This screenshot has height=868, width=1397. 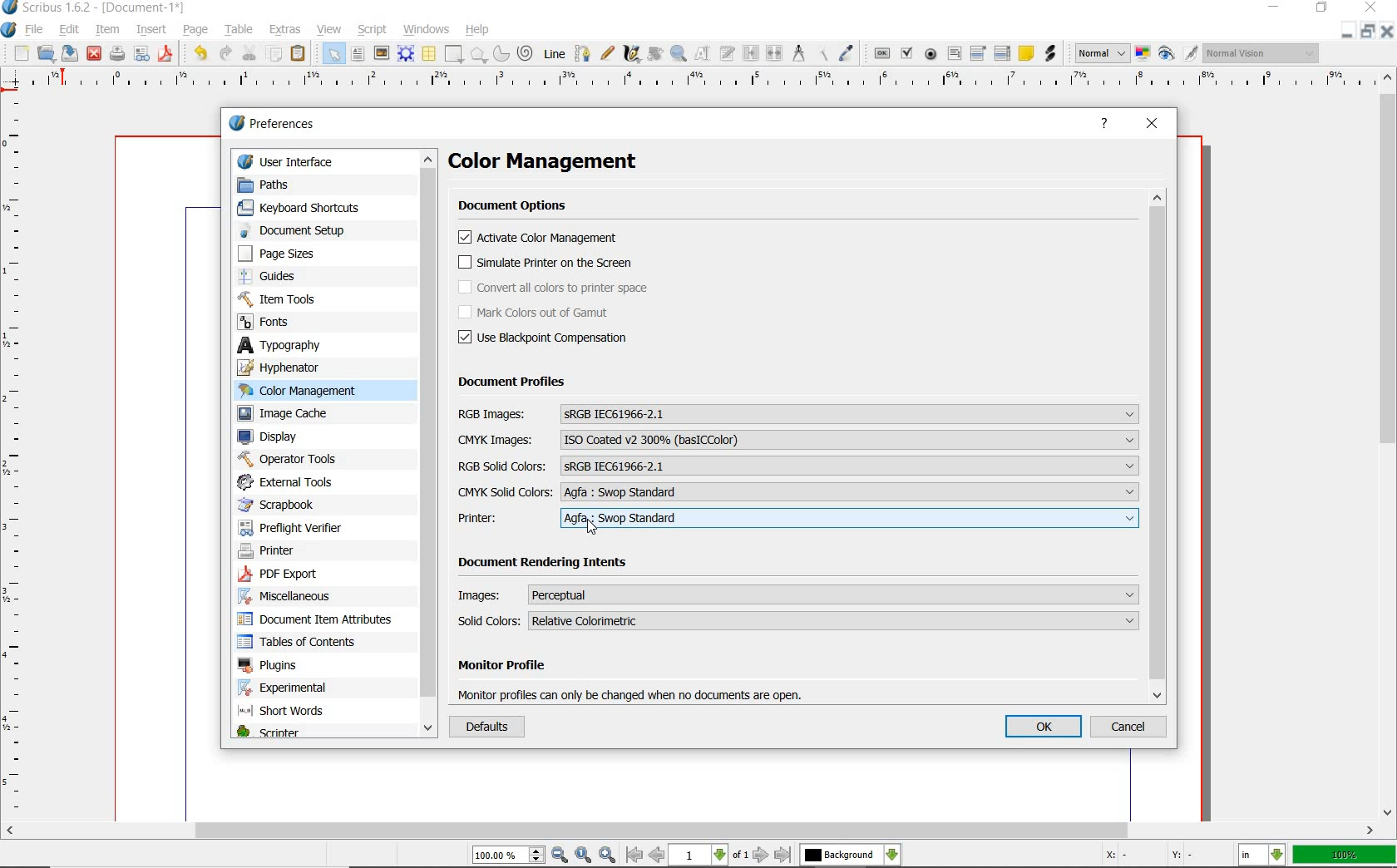 What do you see at coordinates (1387, 445) in the screenshot?
I see `scrollbar` at bounding box center [1387, 445].